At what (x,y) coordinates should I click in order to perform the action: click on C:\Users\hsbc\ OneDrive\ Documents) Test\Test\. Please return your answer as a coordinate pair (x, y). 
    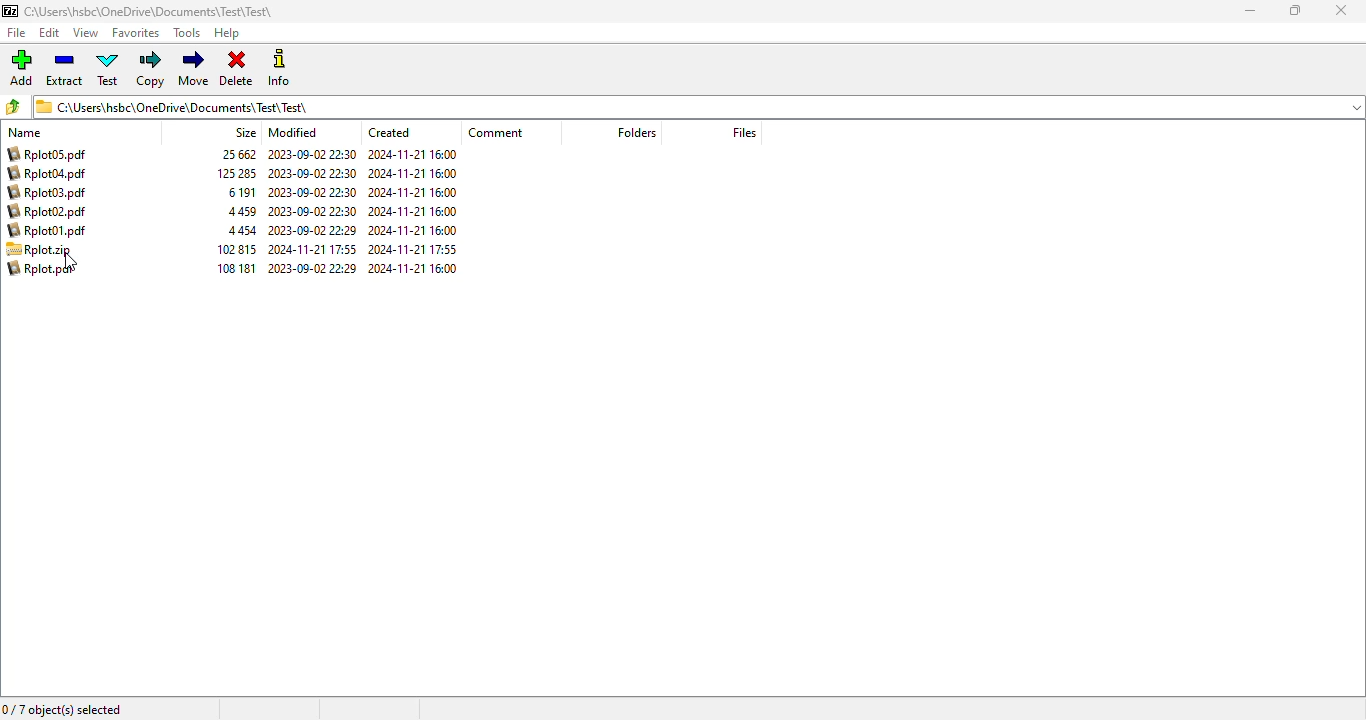
    Looking at the image, I should click on (698, 106).